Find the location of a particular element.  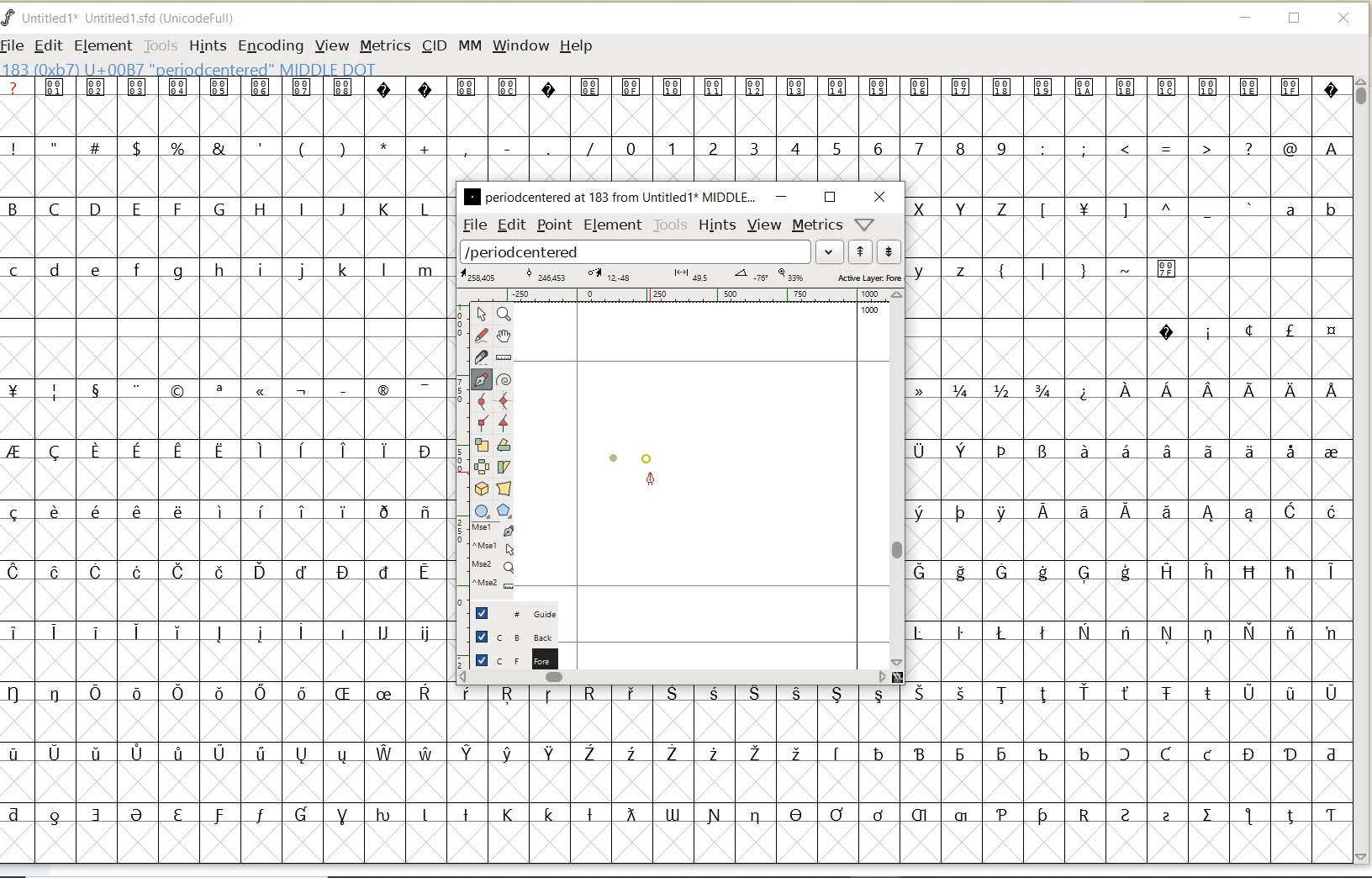

glyph name is located at coordinates (609, 196).